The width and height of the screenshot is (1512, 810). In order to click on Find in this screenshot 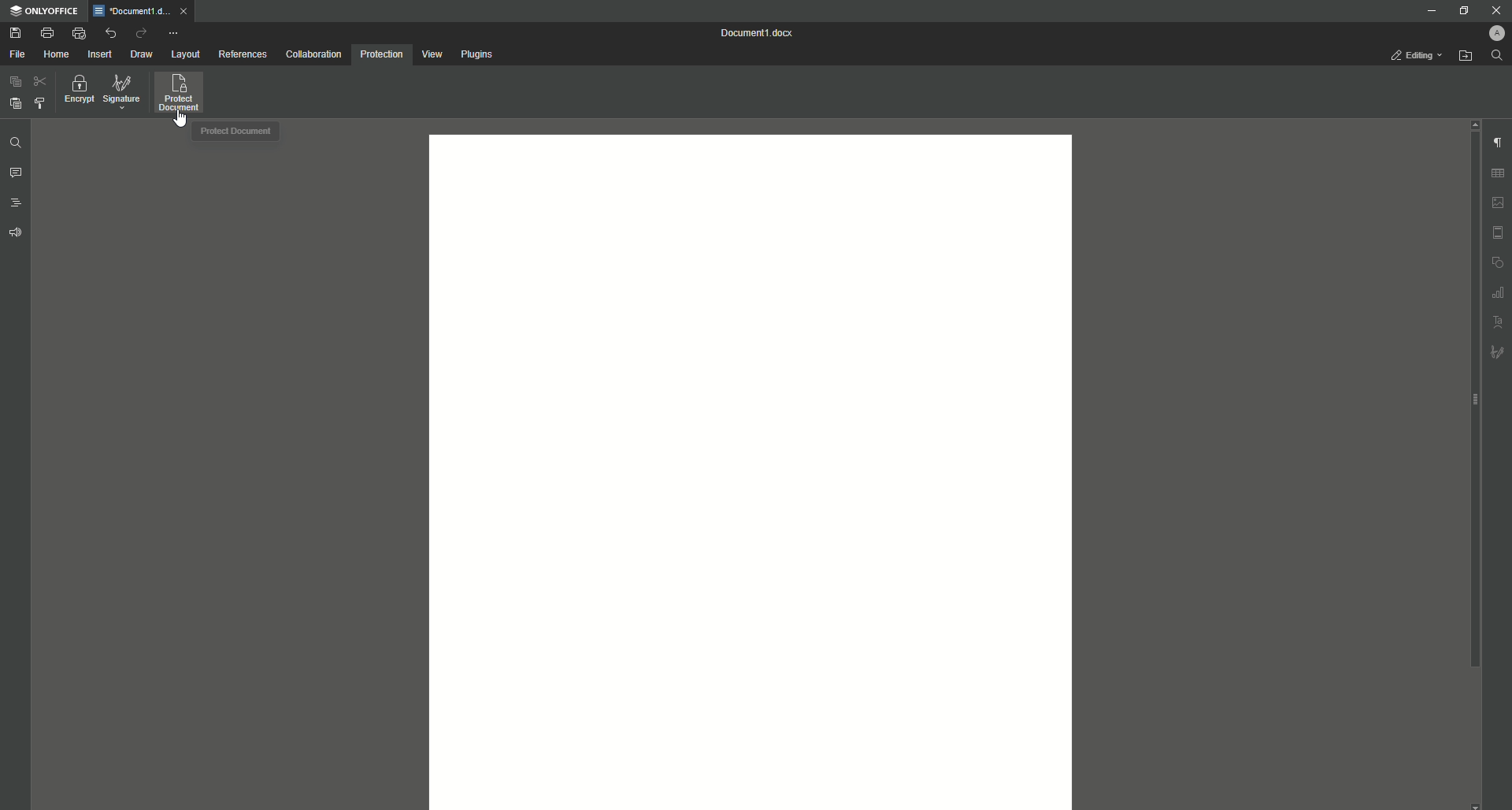, I will do `click(14, 143)`.